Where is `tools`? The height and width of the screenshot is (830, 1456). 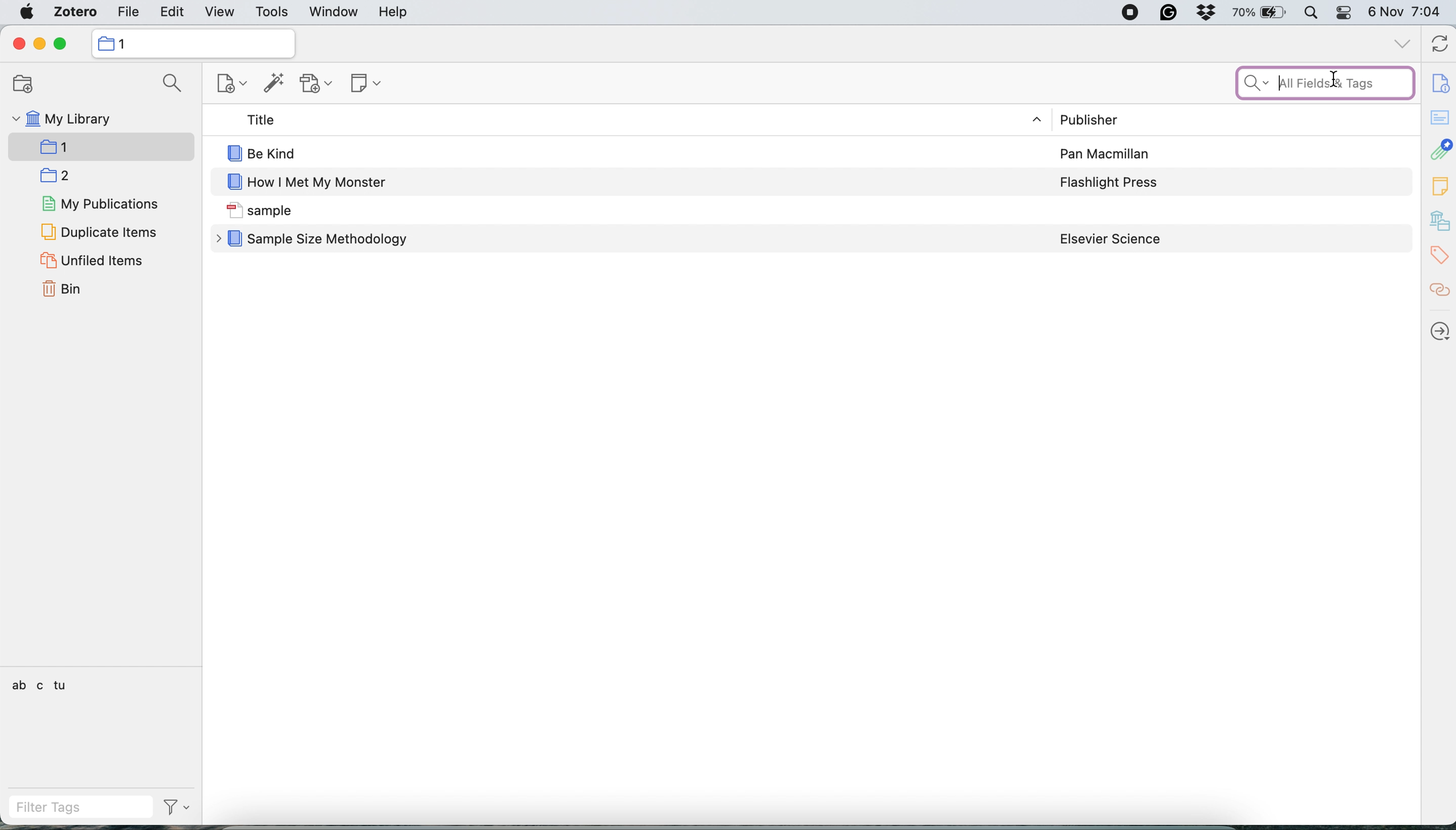
tools is located at coordinates (277, 13).